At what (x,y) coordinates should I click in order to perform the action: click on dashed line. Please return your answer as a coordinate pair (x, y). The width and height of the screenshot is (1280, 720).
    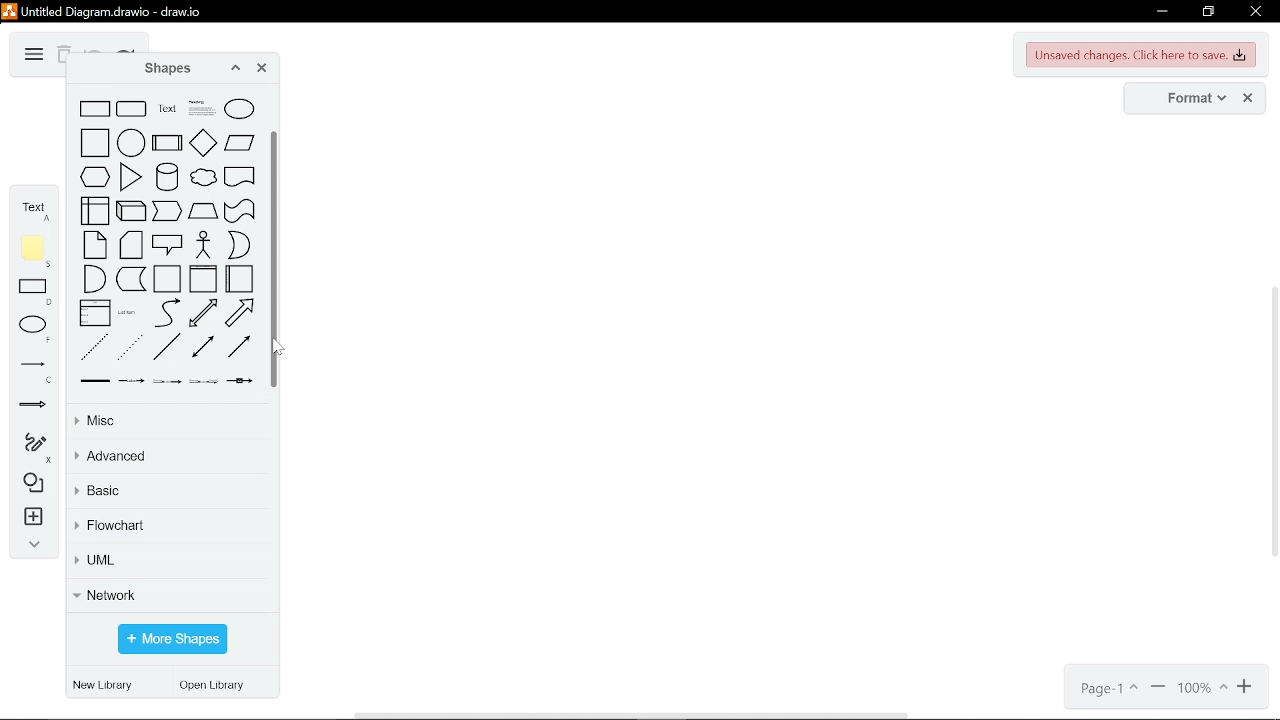
    Looking at the image, I should click on (95, 347).